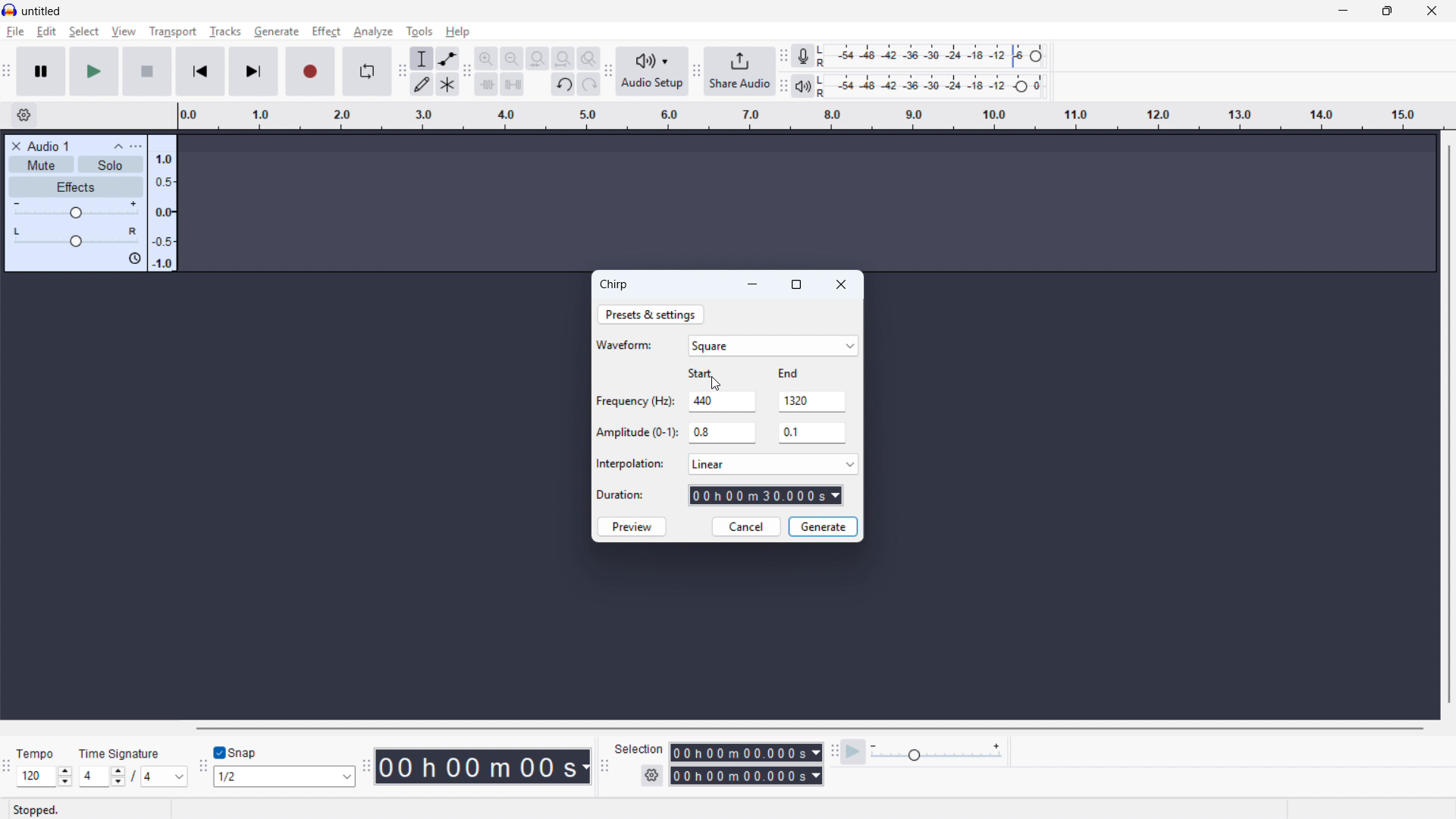 The height and width of the screenshot is (819, 1456). Describe the element at coordinates (637, 433) in the screenshot. I see `Amplitude (0-1)` at that location.